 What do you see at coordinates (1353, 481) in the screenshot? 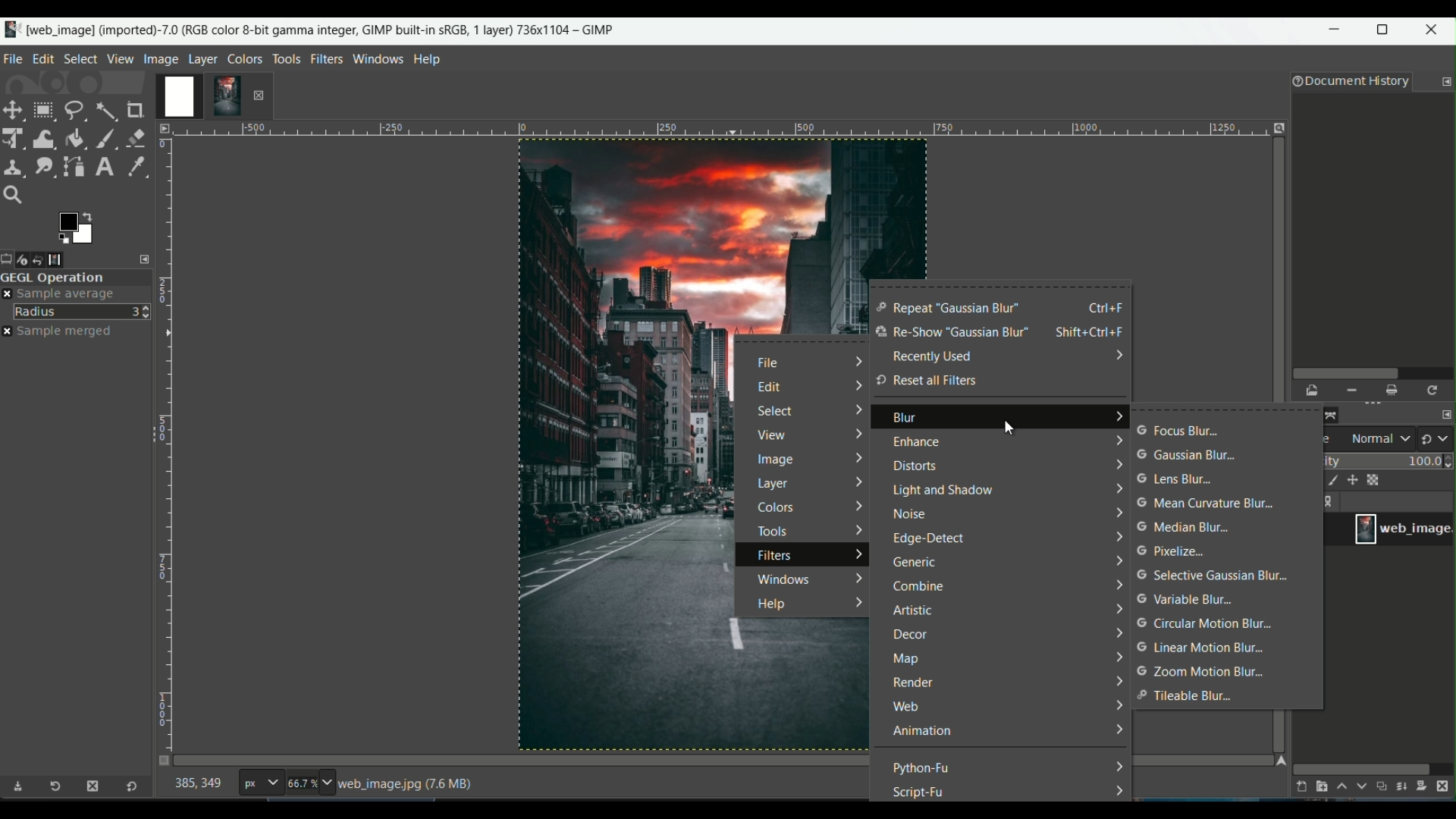
I see `lock size and position` at bounding box center [1353, 481].